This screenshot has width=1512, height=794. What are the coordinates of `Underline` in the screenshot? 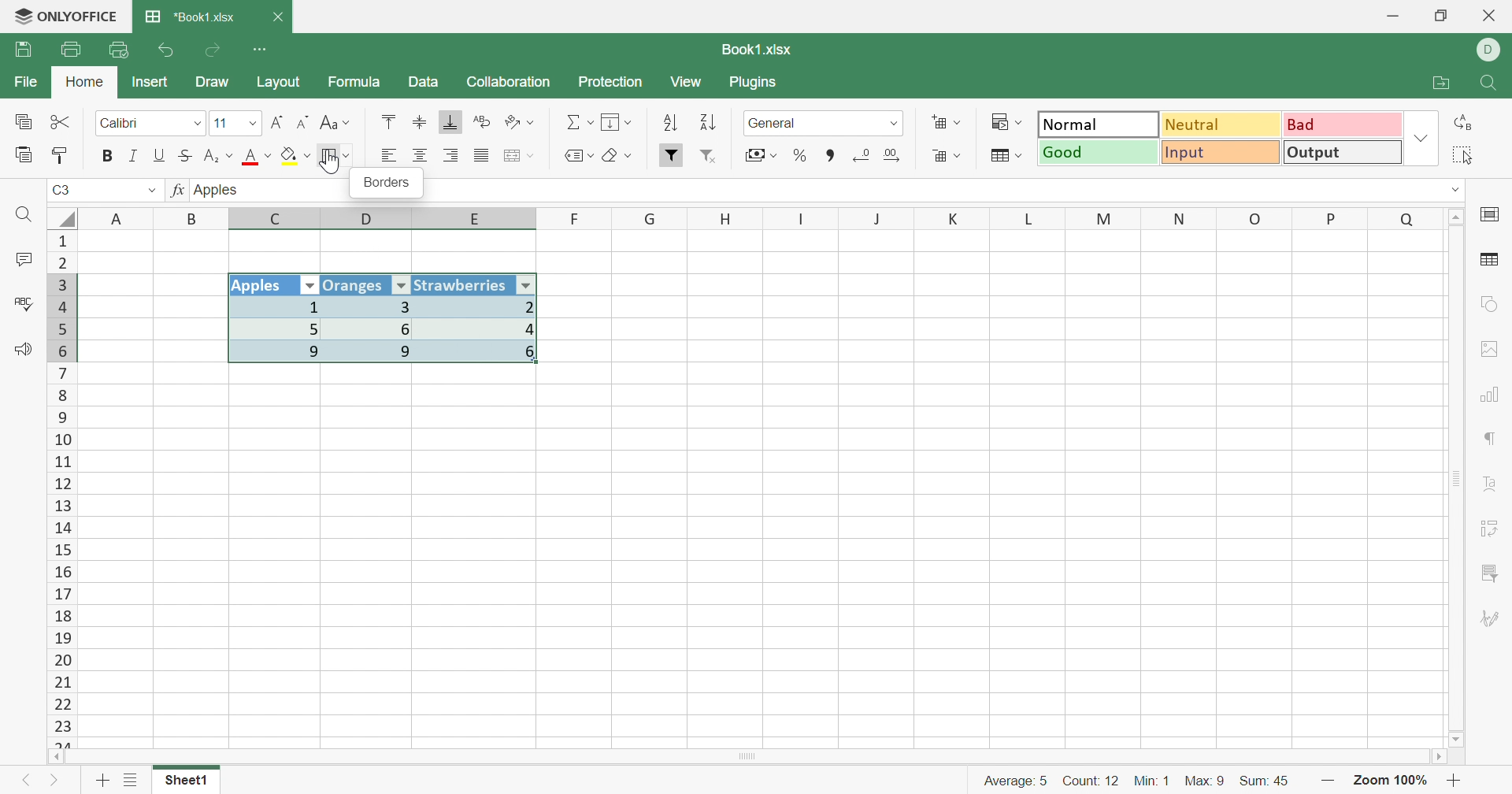 It's located at (160, 155).